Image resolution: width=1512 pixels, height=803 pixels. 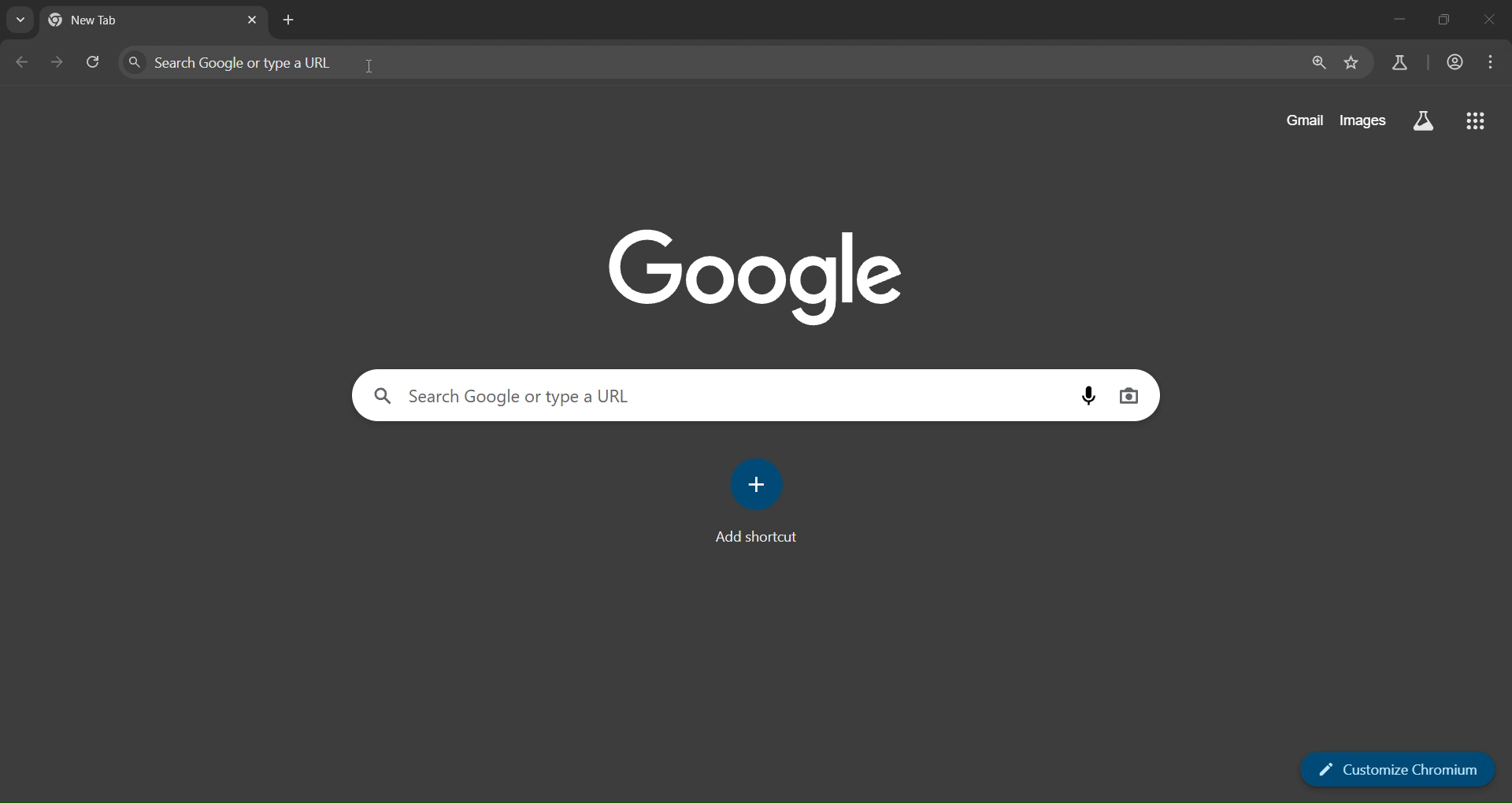 What do you see at coordinates (1354, 63) in the screenshot?
I see `bookmark page` at bounding box center [1354, 63].